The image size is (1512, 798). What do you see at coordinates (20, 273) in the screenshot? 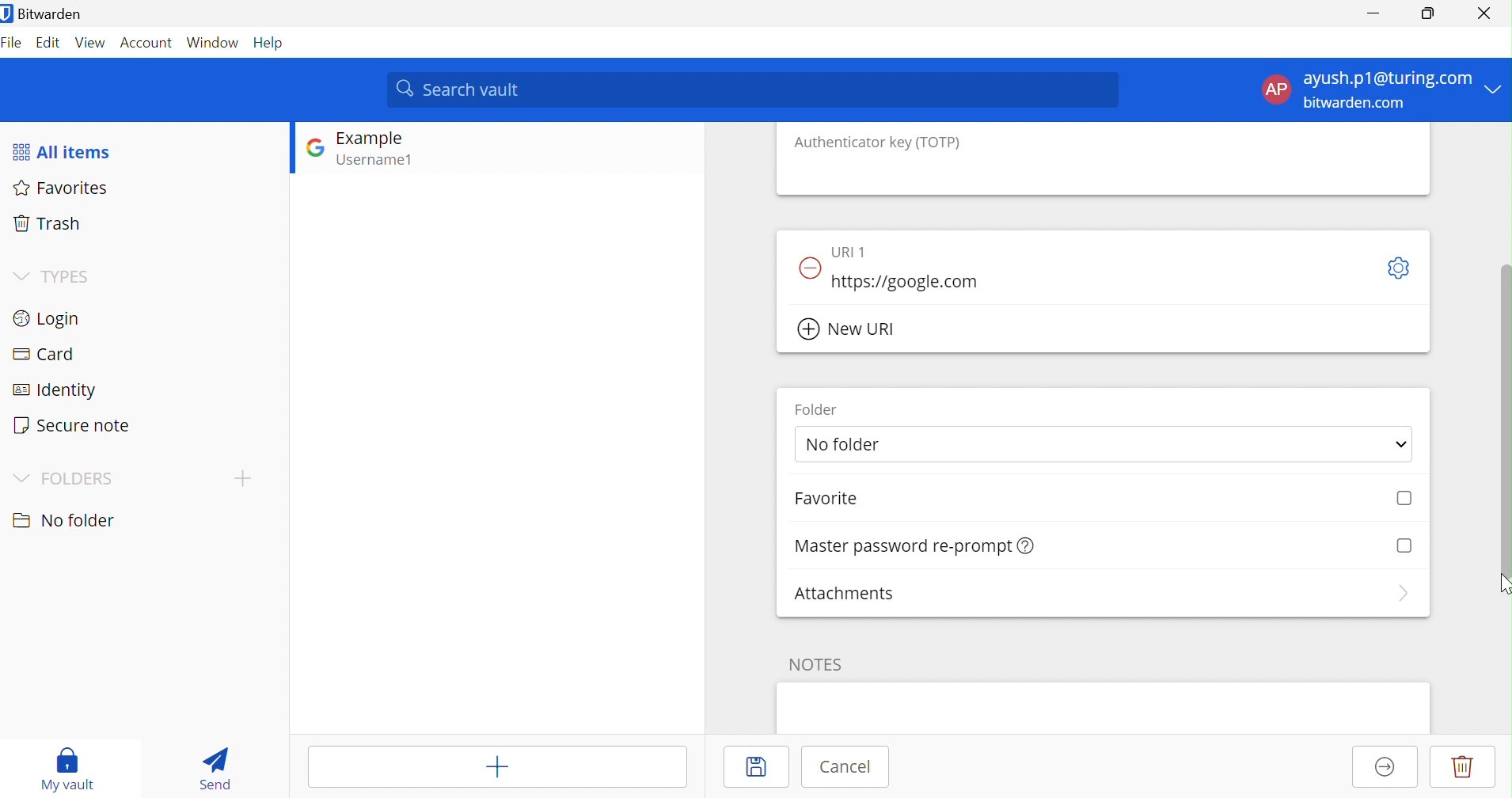
I see `Drop Down` at bounding box center [20, 273].